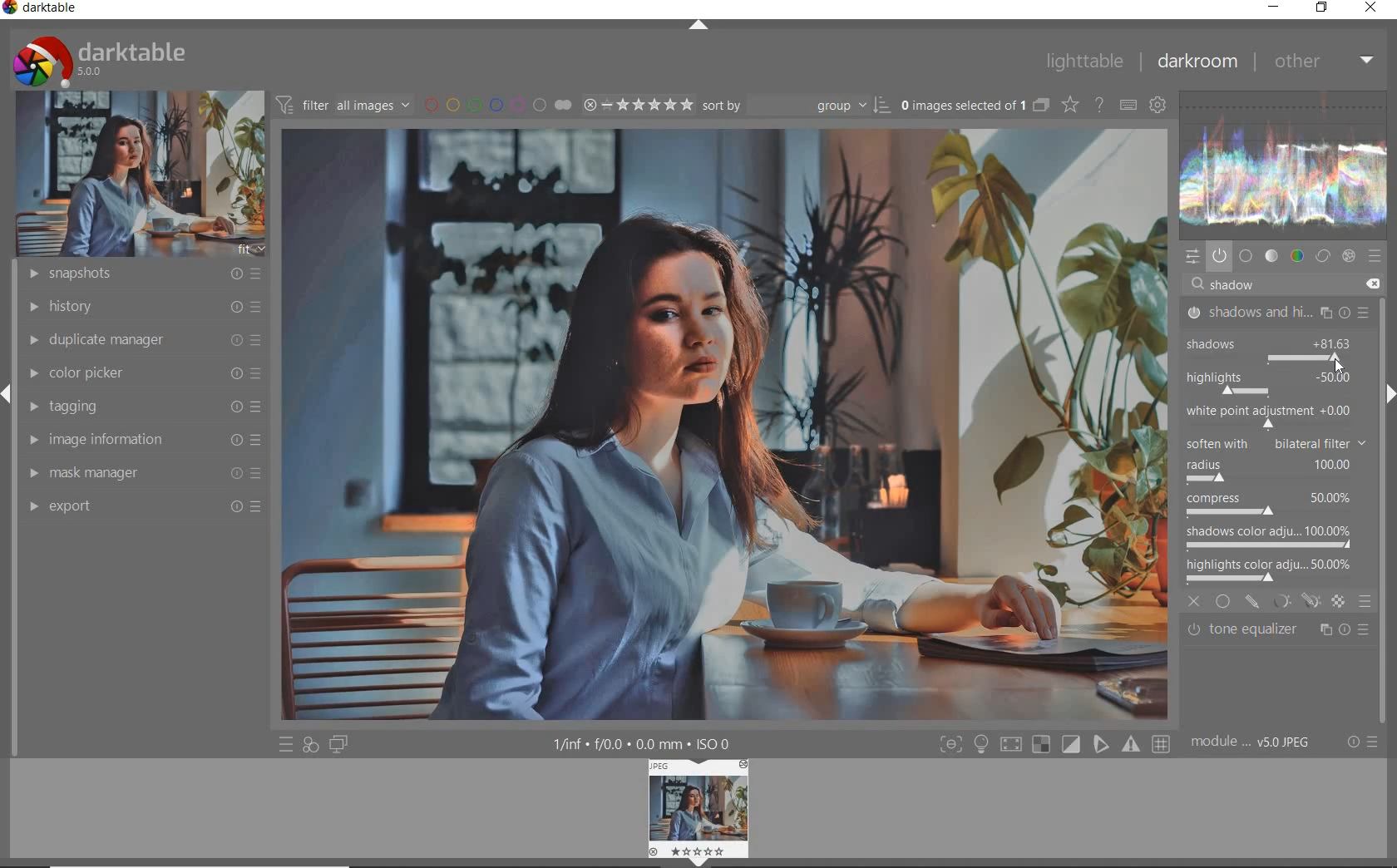  Describe the element at coordinates (639, 105) in the screenshot. I see `selected Image range rating` at that location.